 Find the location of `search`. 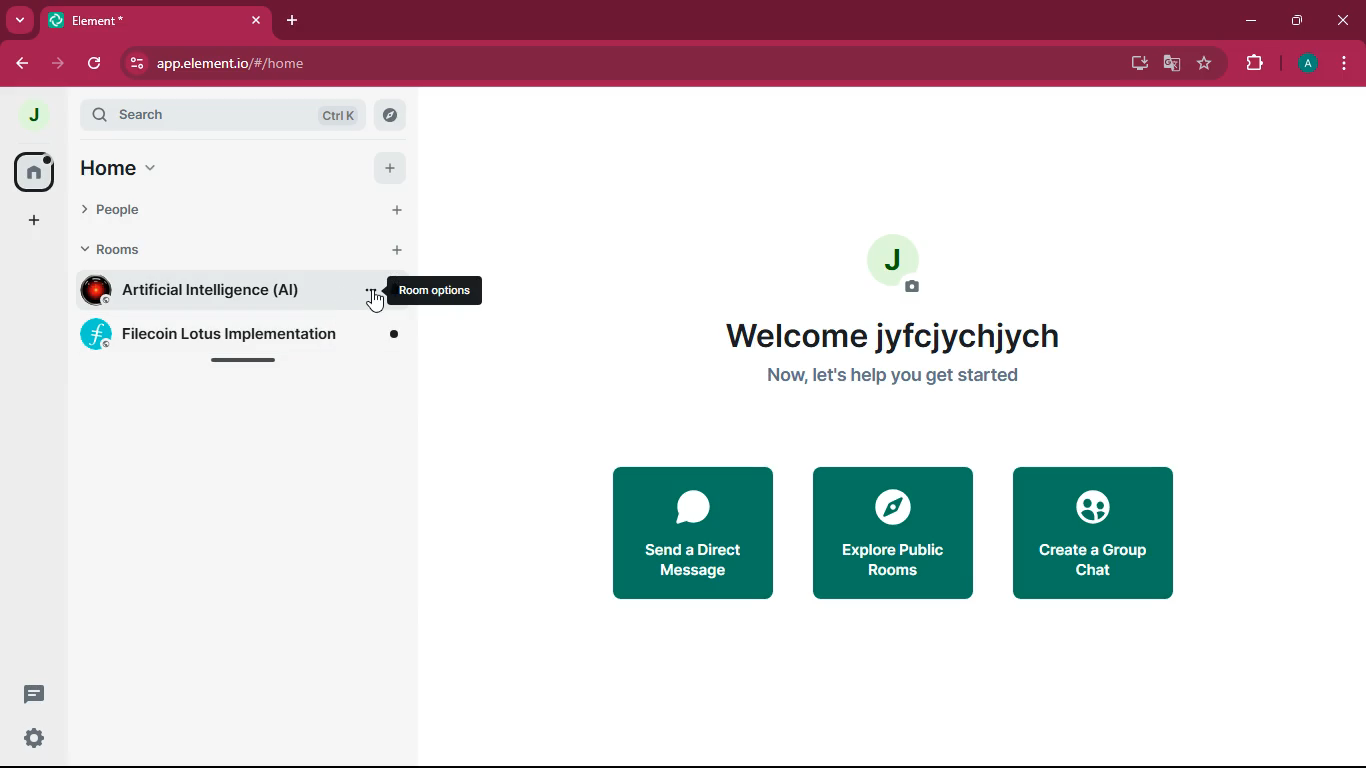

search is located at coordinates (219, 116).